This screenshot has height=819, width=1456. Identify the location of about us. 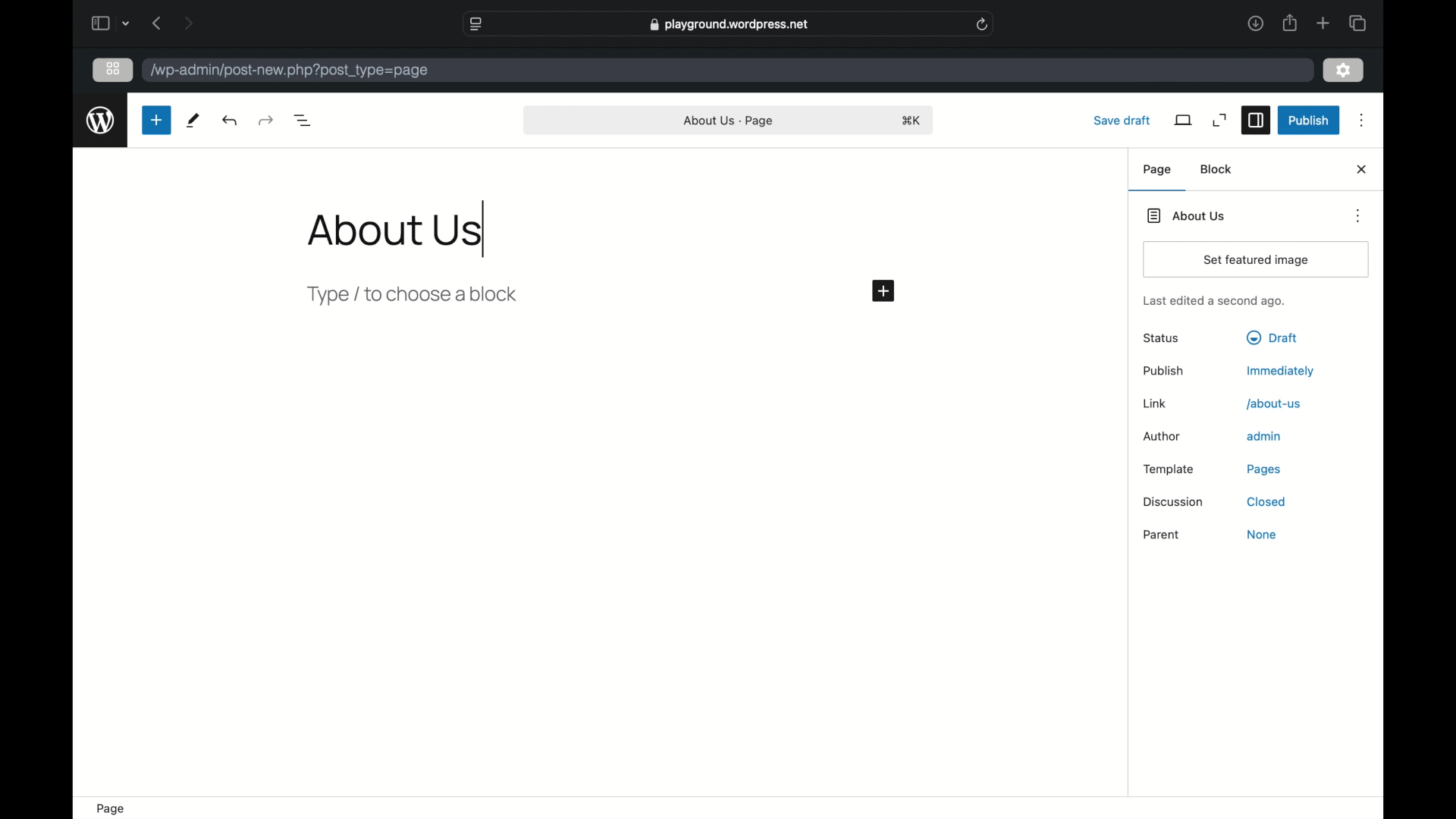
(1274, 404).